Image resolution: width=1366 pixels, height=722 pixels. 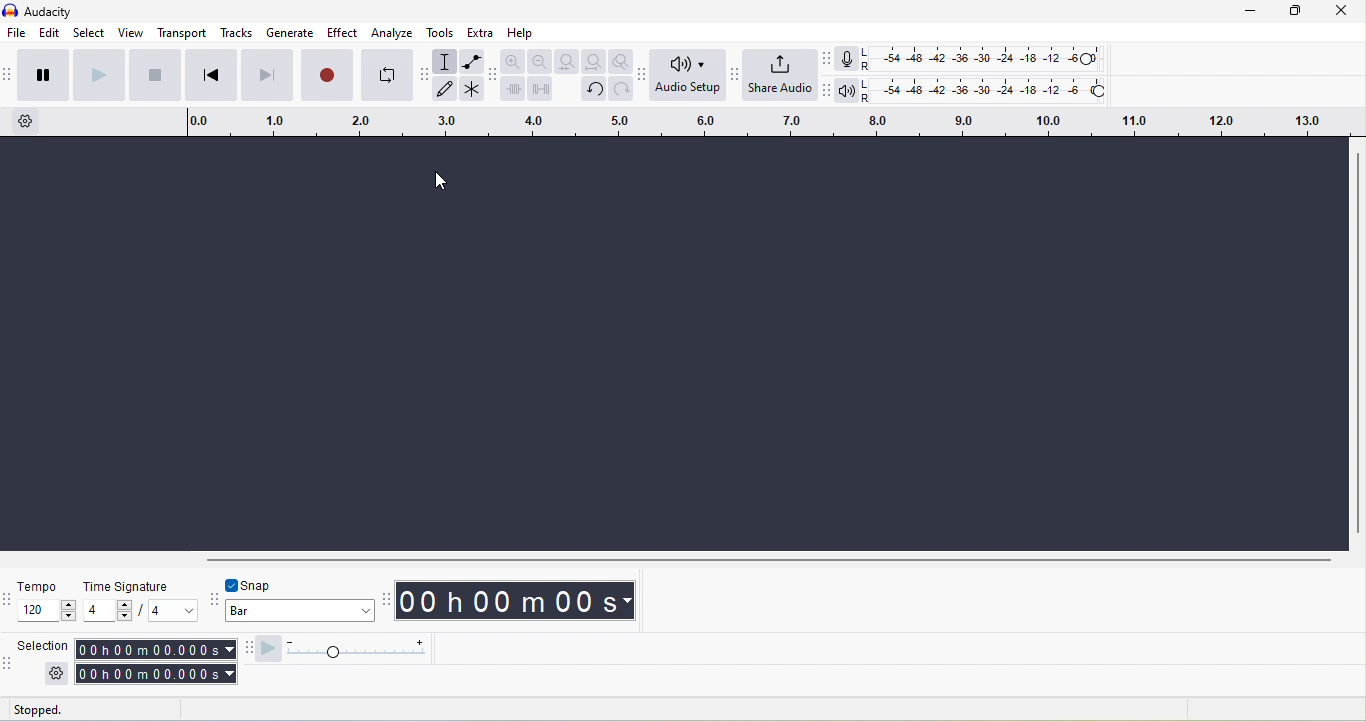 I want to click on analyze, so click(x=392, y=34).